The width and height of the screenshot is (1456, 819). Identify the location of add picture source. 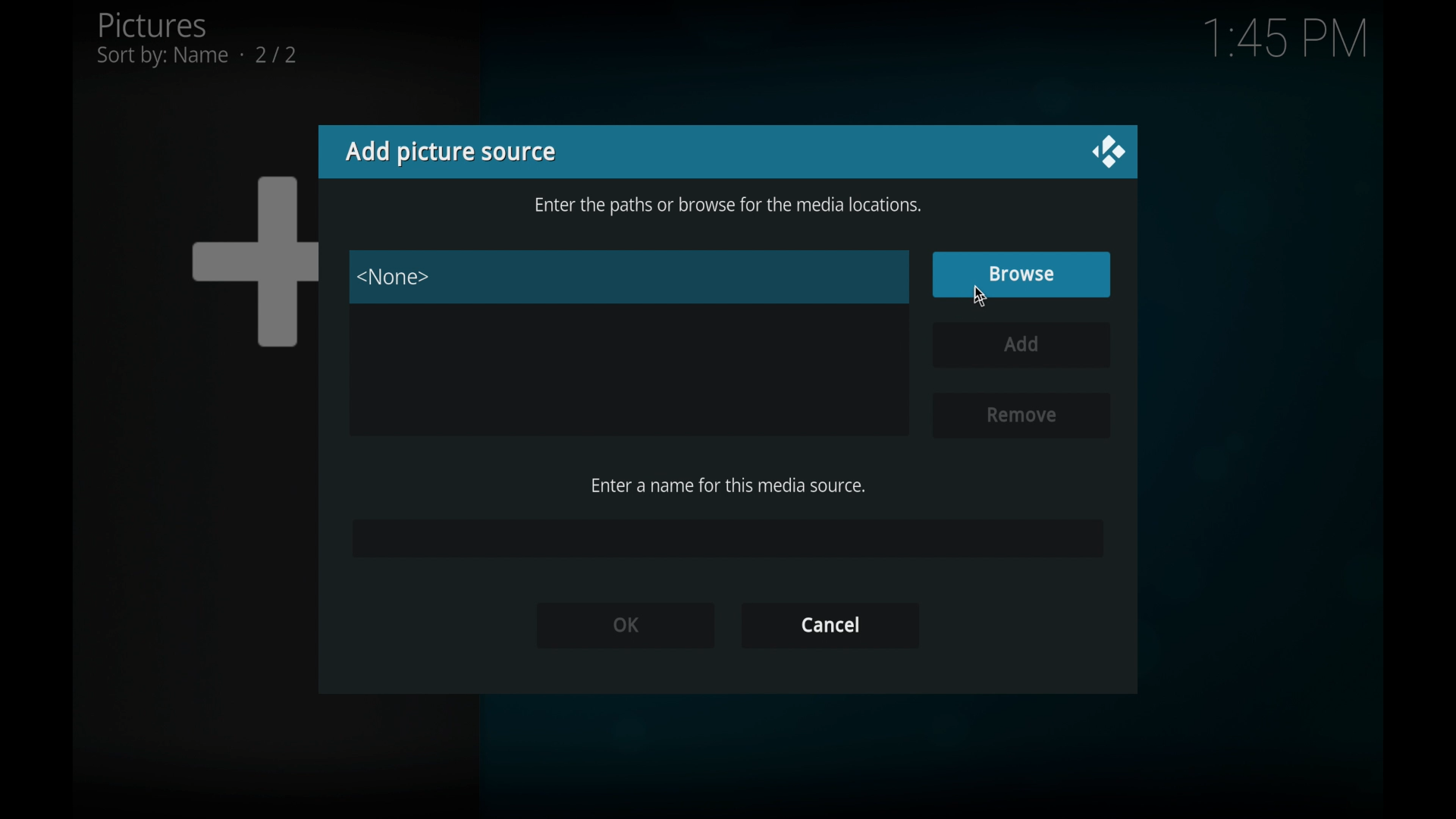
(450, 152).